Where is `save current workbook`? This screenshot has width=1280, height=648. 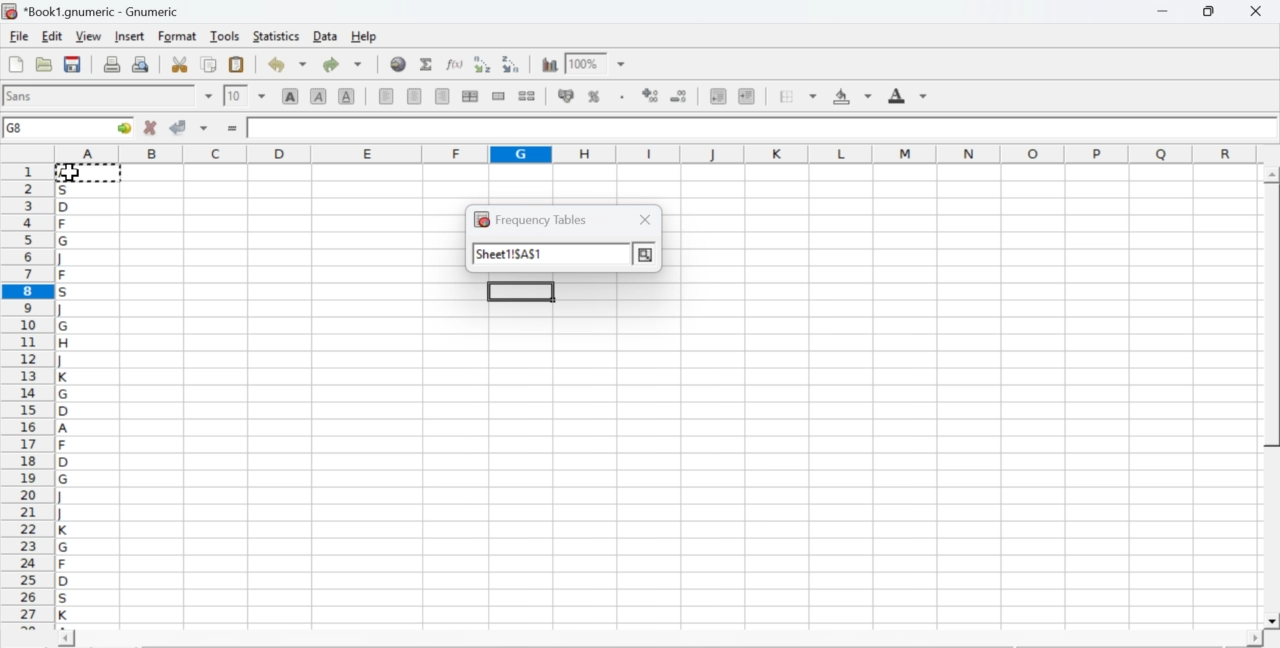 save current workbook is located at coordinates (73, 64).